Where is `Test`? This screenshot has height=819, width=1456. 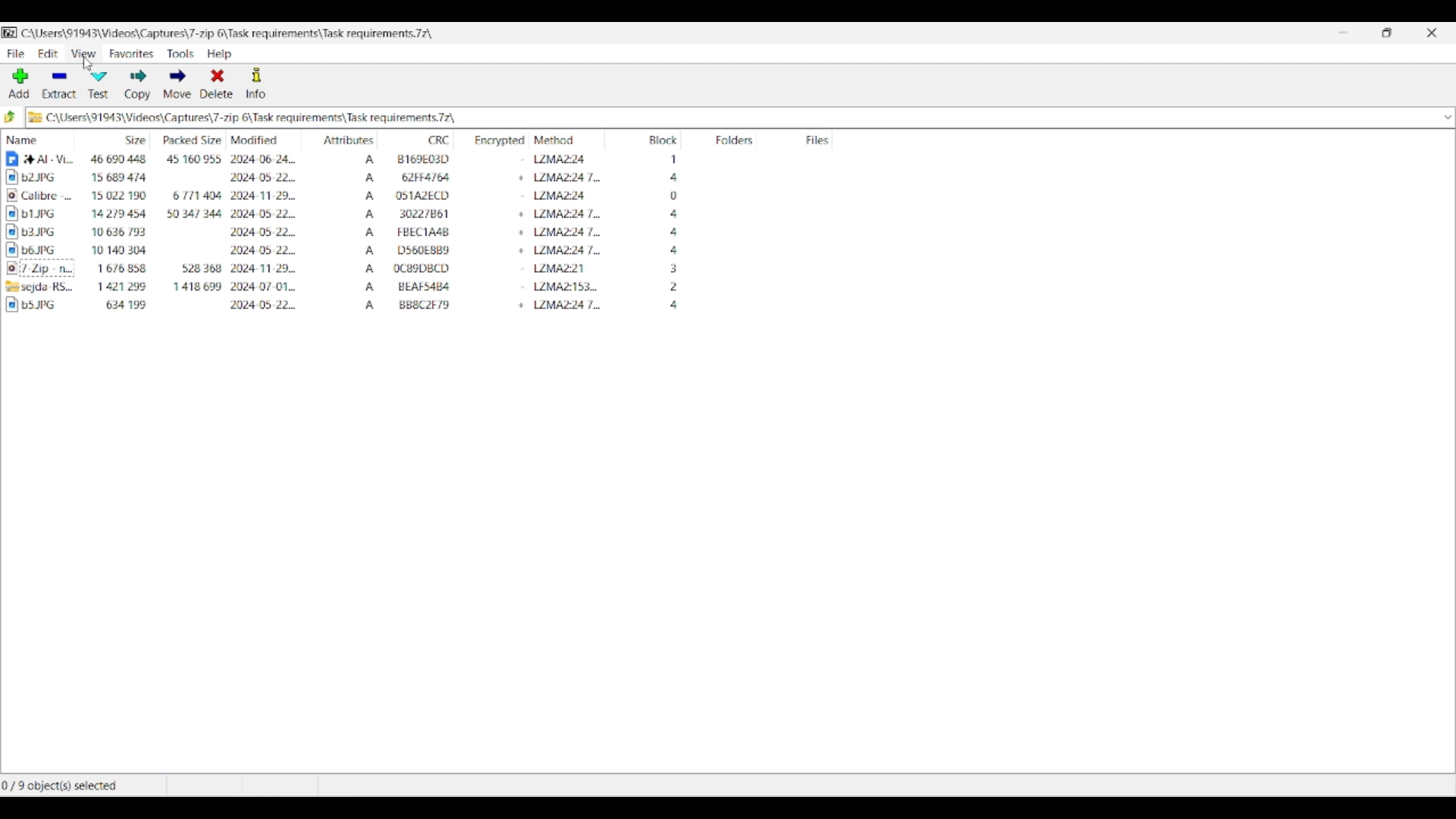
Test is located at coordinates (99, 86).